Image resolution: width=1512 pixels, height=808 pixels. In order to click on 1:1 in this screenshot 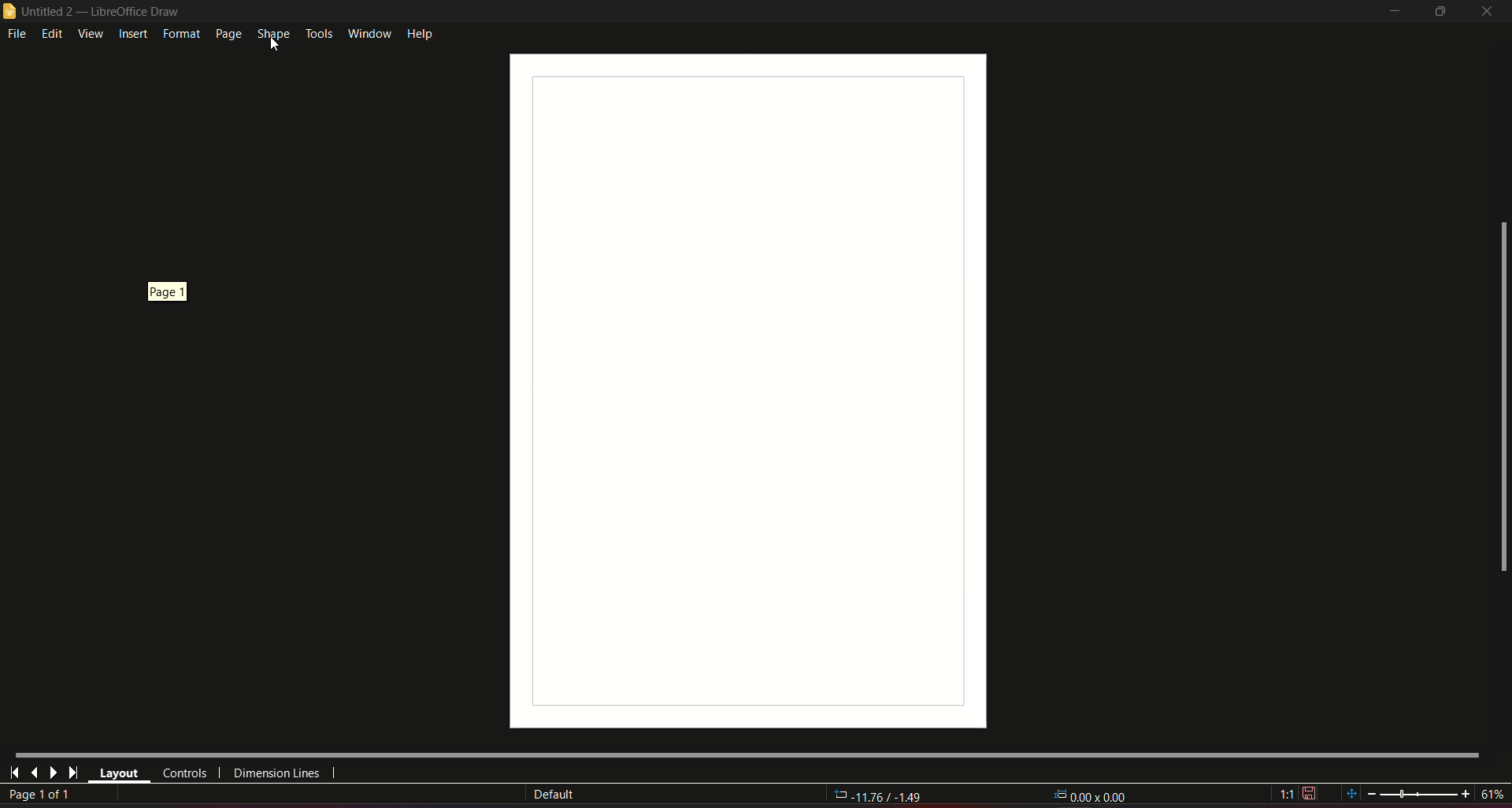, I will do `click(1298, 793)`.